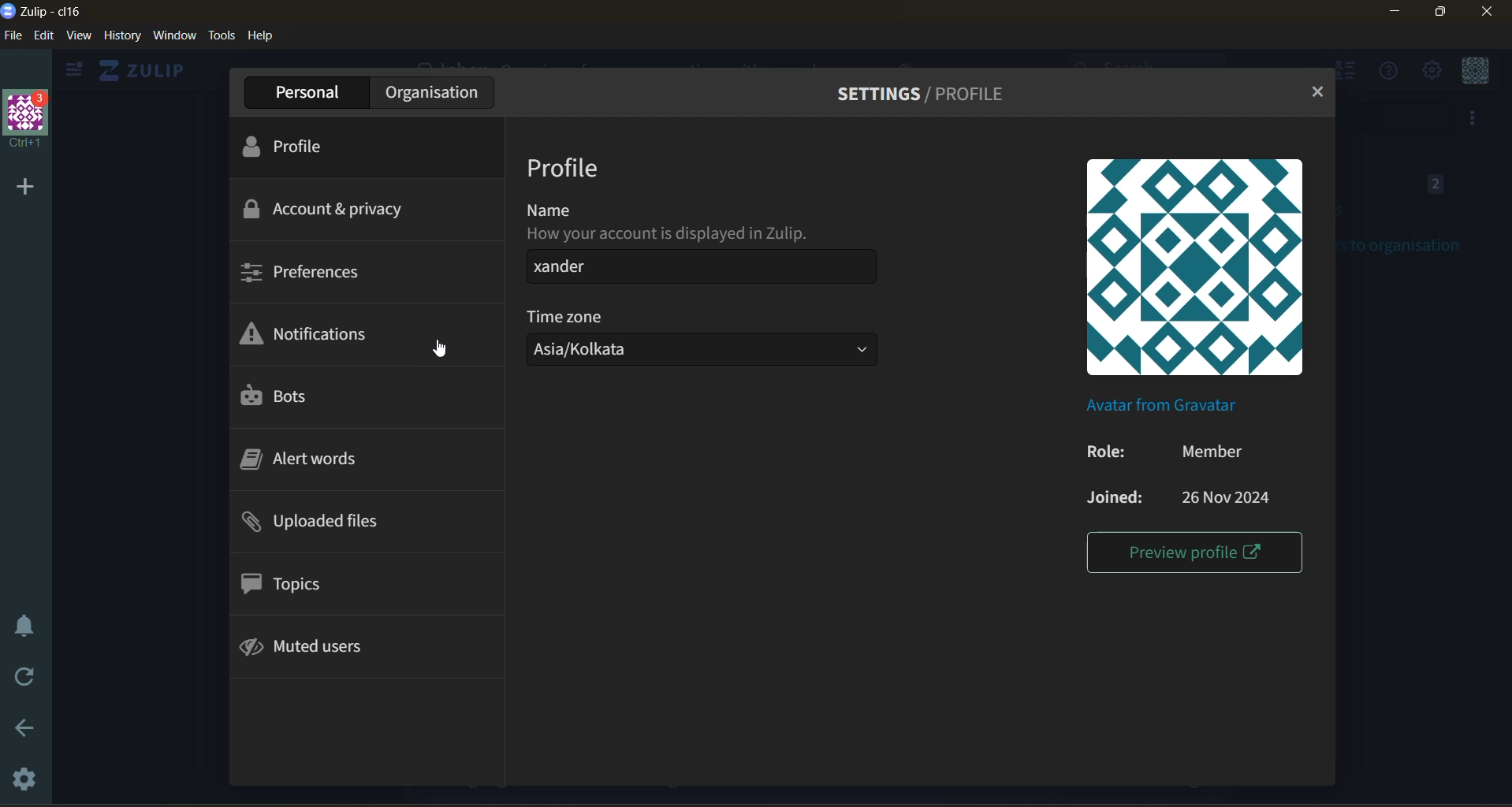  Describe the element at coordinates (19, 731) in the screenshot. I see `go back` at that location.